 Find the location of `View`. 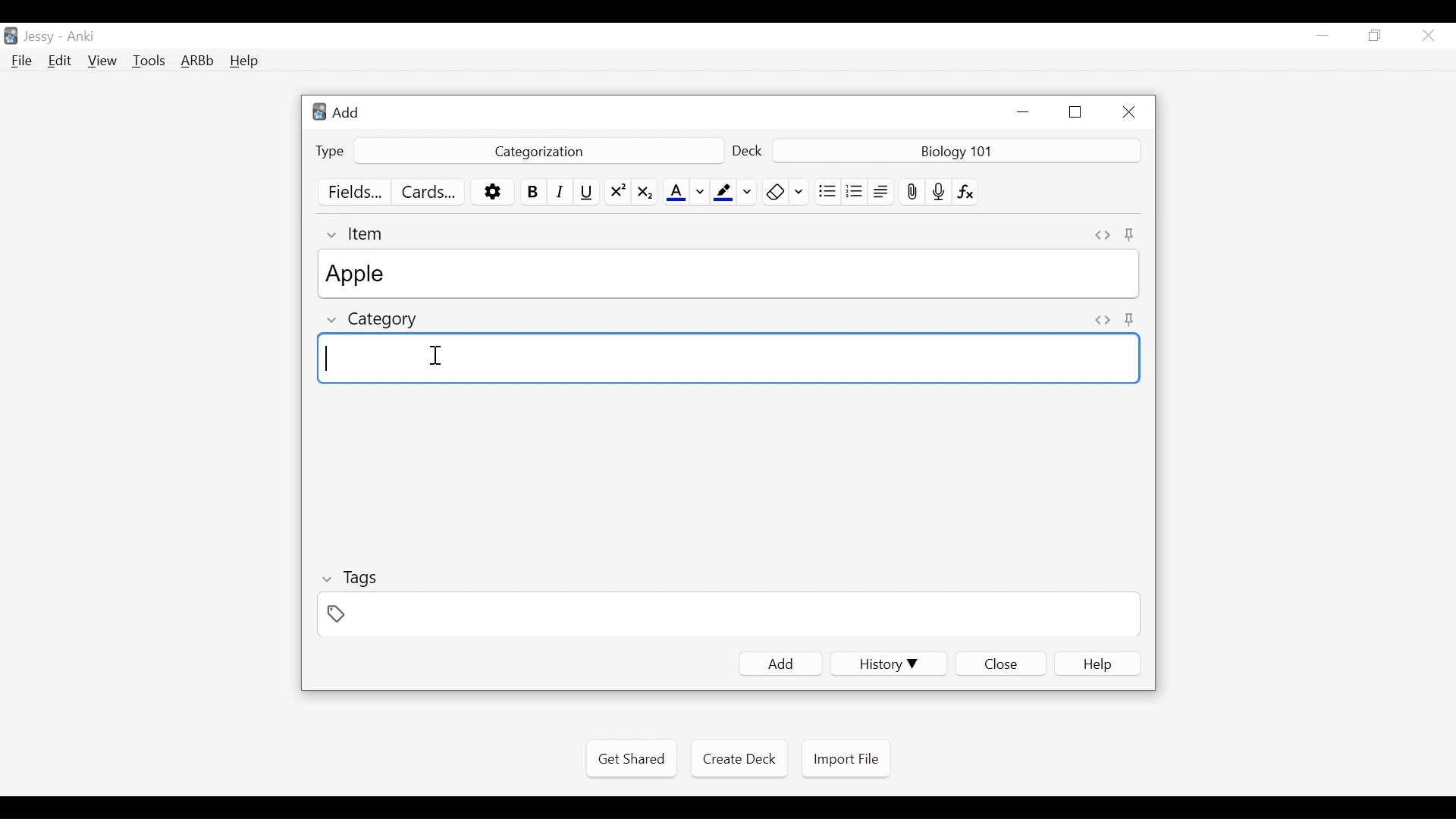

View is located at coordinates (103, 61).